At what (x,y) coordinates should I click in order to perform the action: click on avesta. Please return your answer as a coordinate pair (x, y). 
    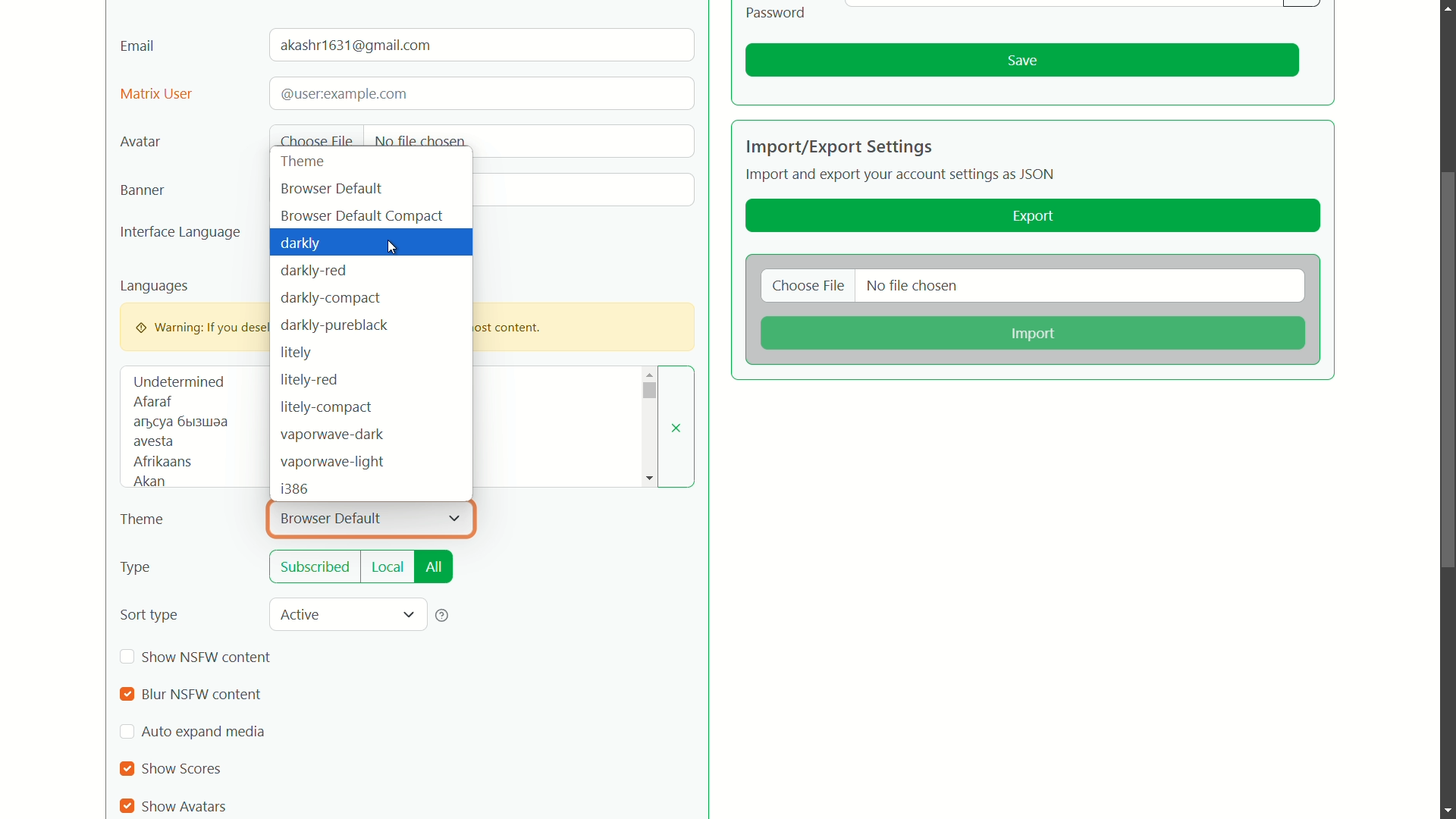
    Looking at the image, I should click on (153, 443).